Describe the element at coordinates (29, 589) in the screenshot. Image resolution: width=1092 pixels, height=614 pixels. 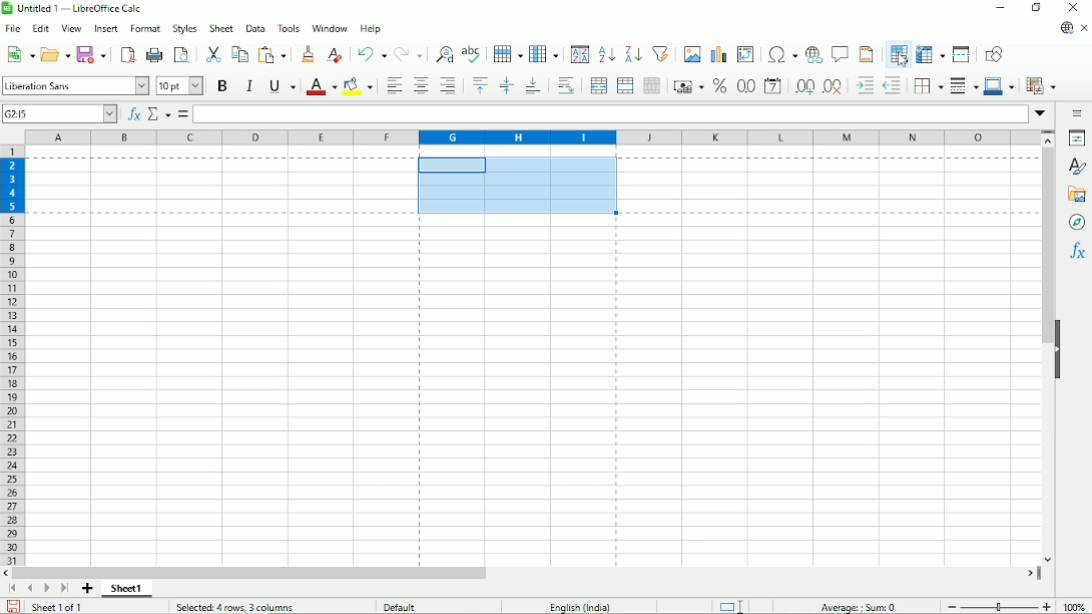
I see `Scroll to previous page` at that location.